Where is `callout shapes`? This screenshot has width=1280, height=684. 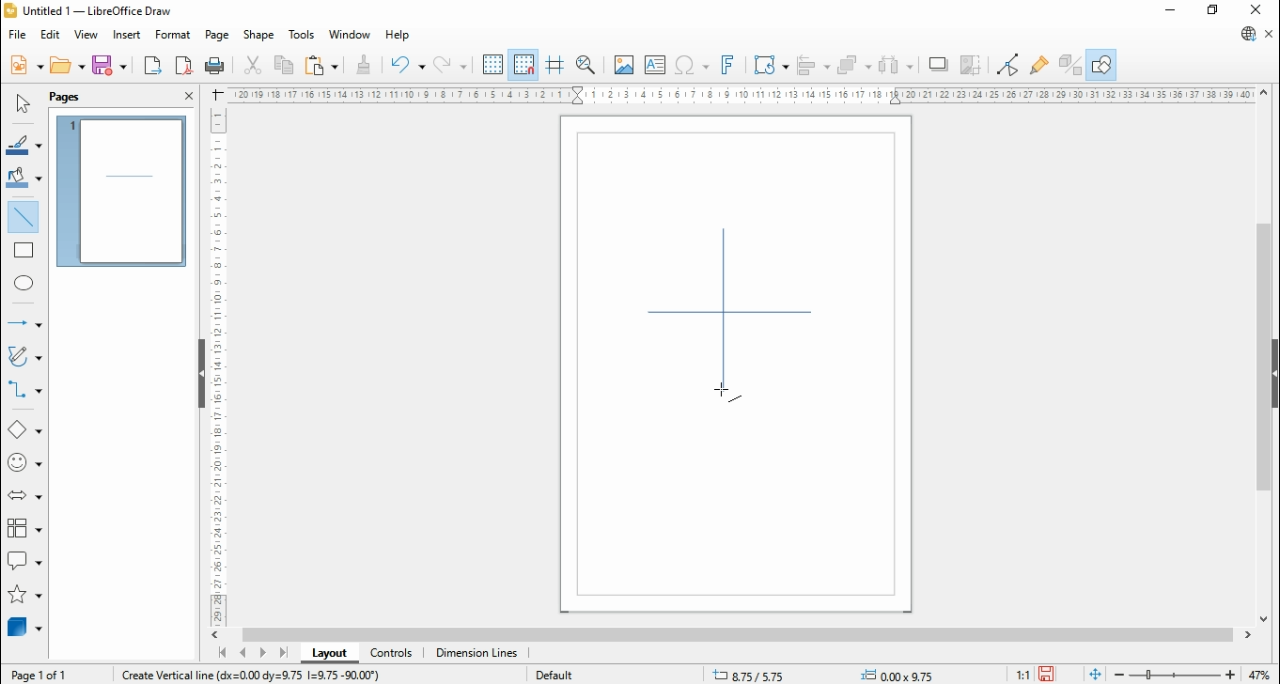
callout shapes is located at coordinates (25, 560).